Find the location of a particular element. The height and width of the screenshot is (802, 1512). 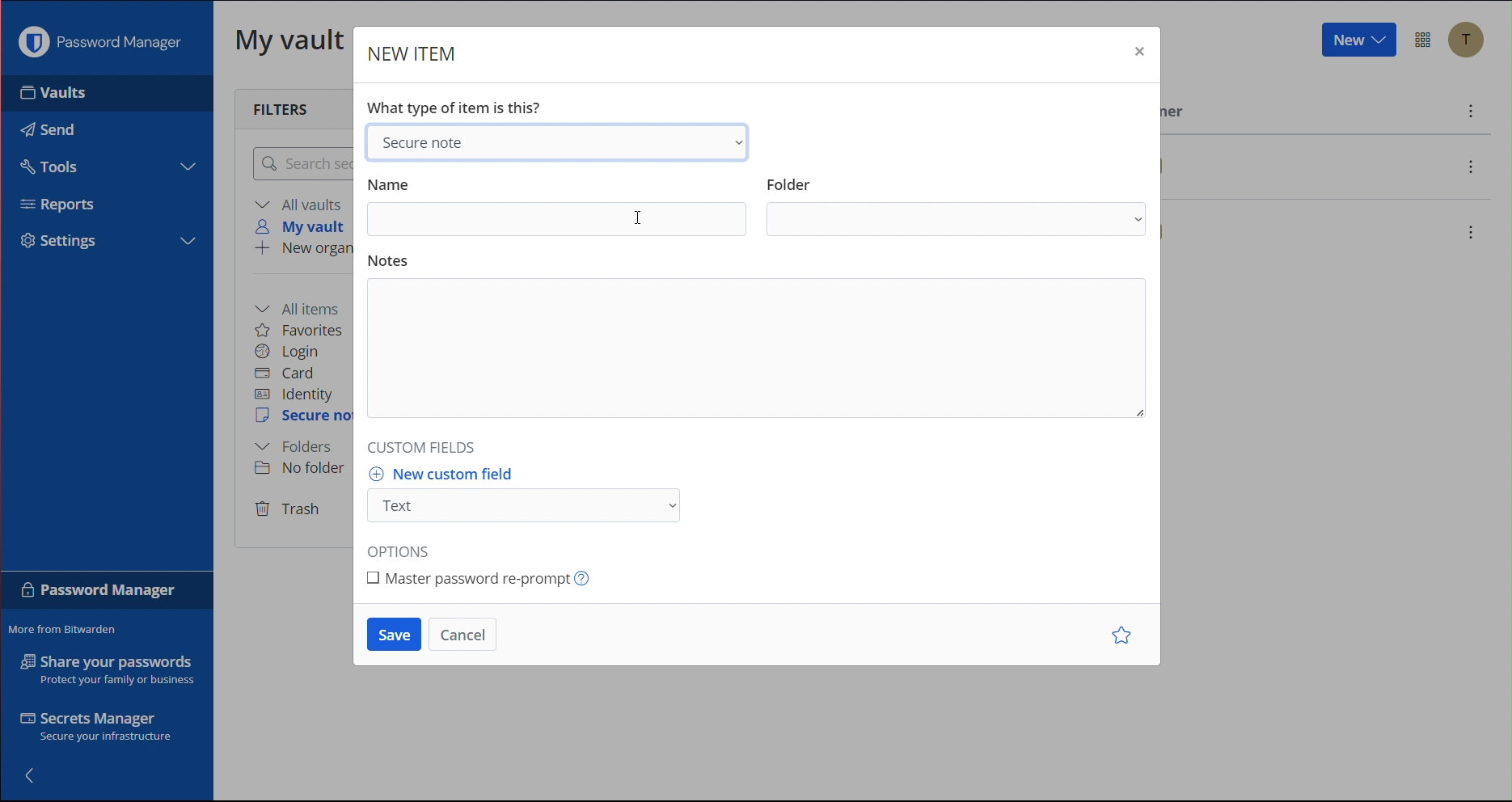

All vaults is located at coordinates (302, 204).